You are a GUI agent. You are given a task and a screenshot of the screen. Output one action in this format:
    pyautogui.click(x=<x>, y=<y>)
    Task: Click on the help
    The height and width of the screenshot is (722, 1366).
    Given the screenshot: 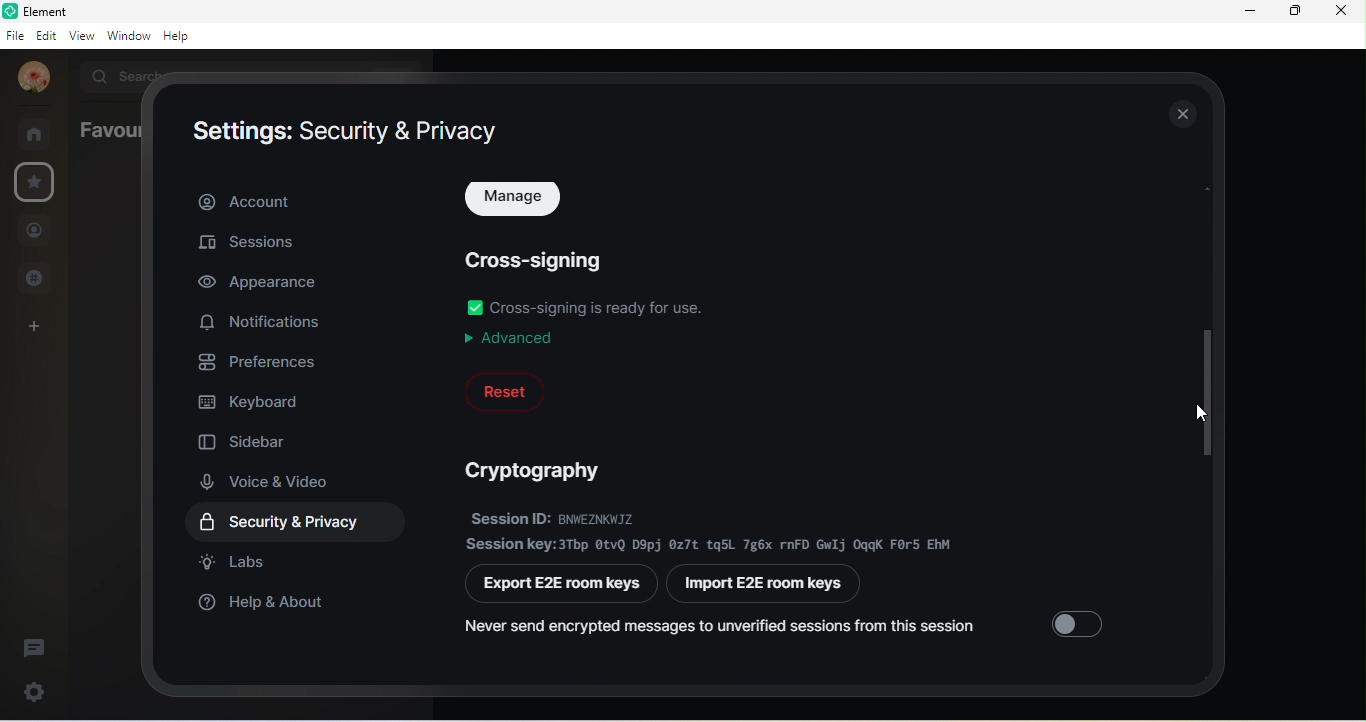 What is the action you would take?
    pyautogui.click(x=181, y=36)
    